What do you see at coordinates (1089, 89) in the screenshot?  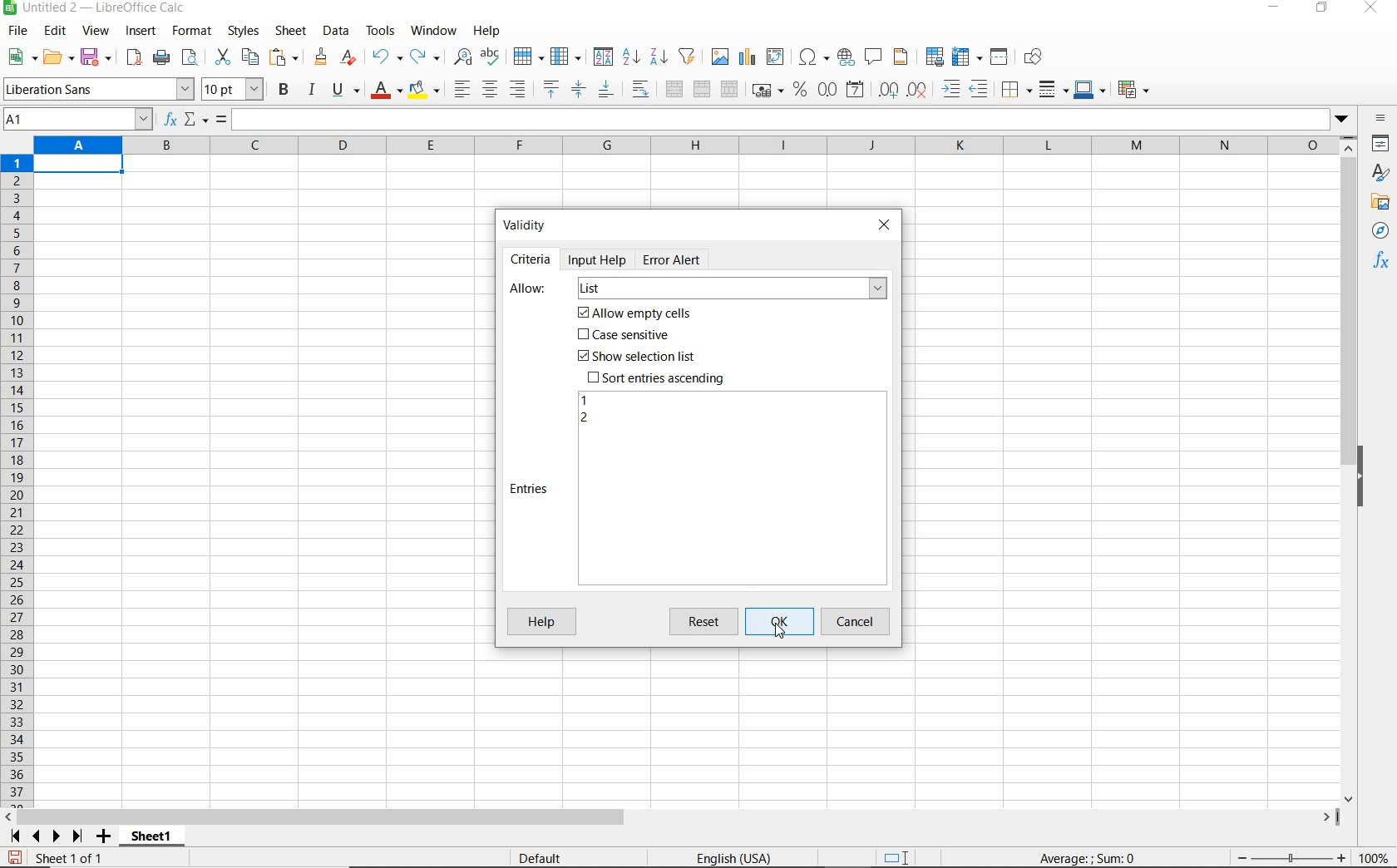 I see `border color` at bounding box center [1089, 89].